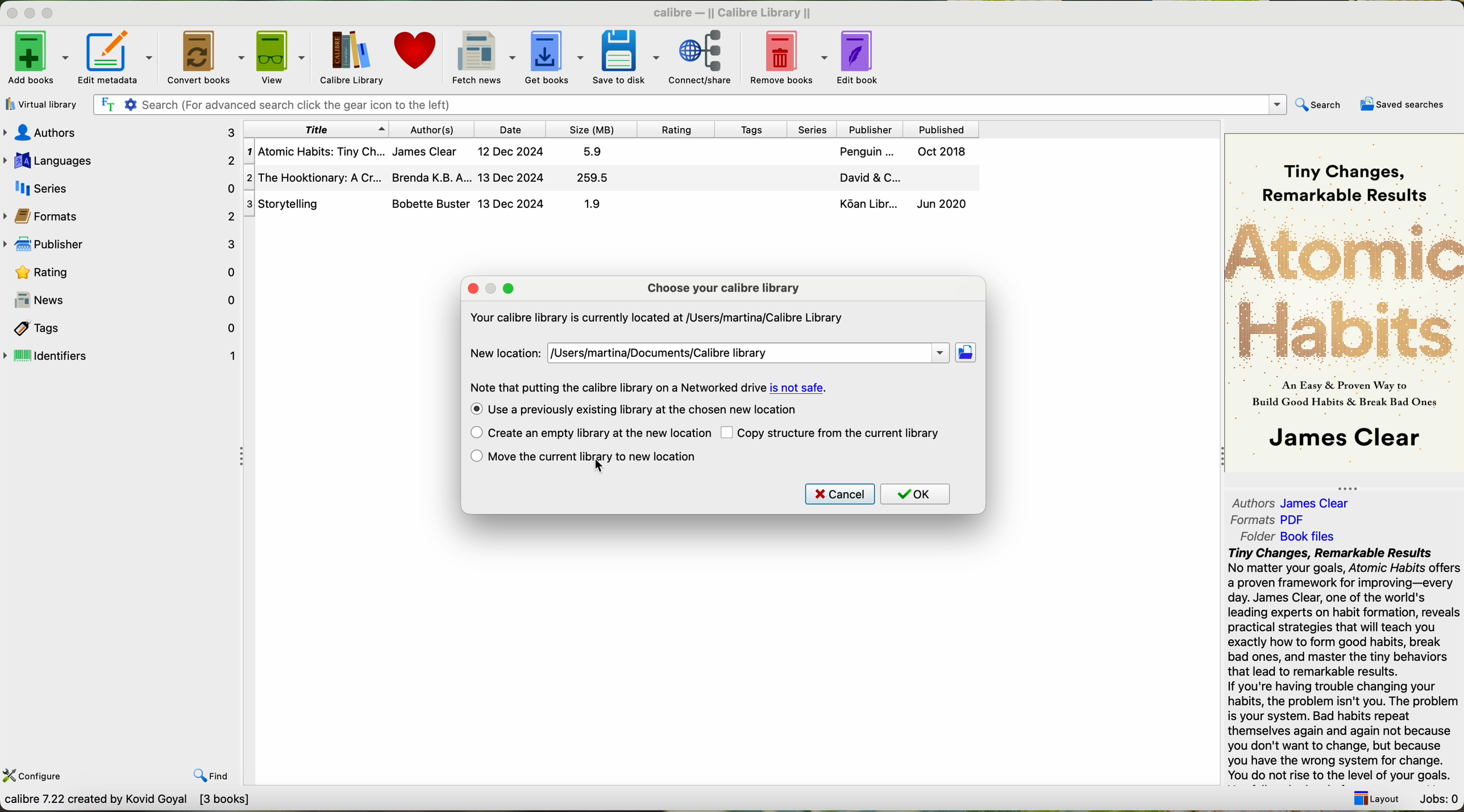 This screenshot has width=1464, height=812. What do you see at coordinates (1253, 520) in the screenshot?
I see `formats ` at bounding box center [1253, 520].